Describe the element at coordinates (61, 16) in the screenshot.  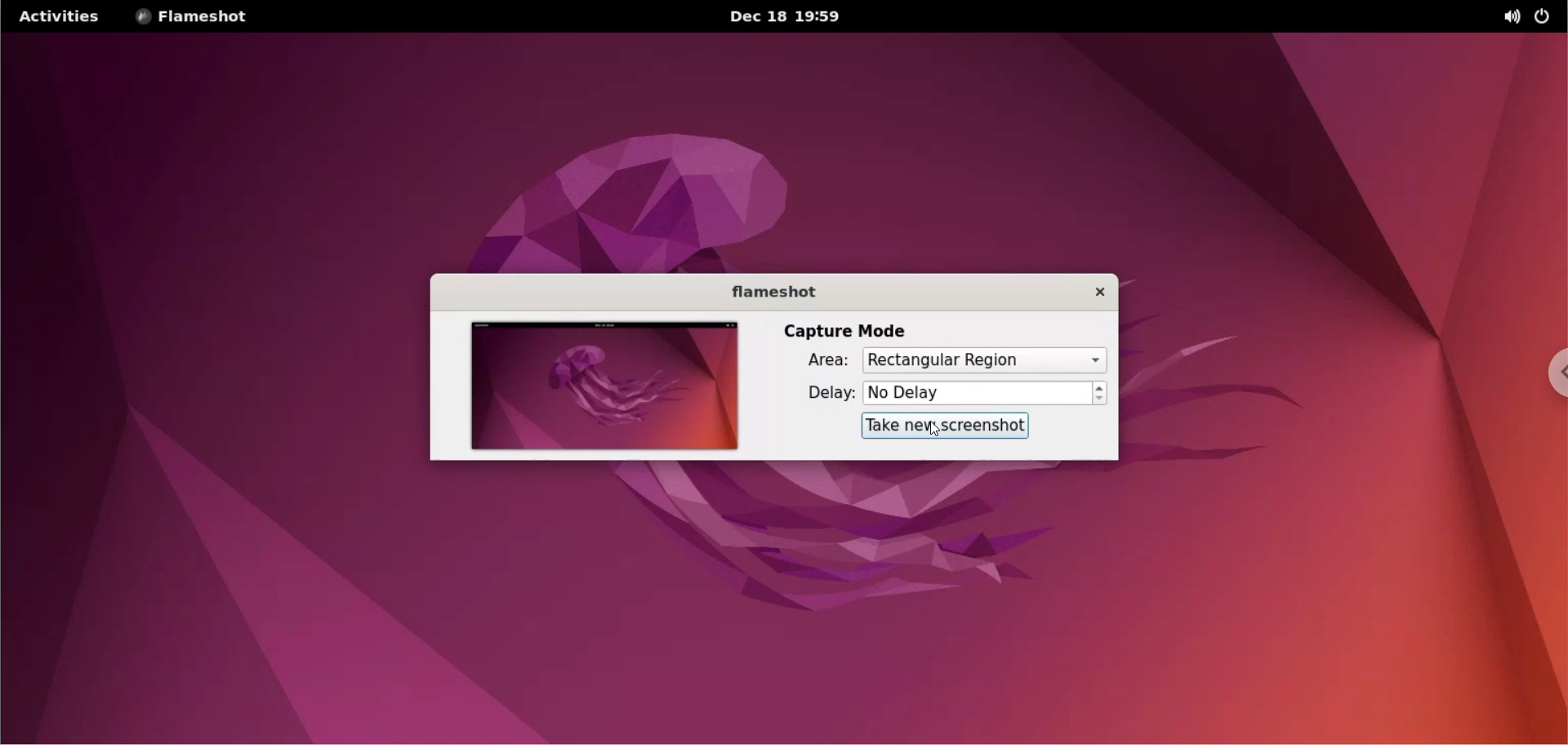
I see `Activites` at that location.